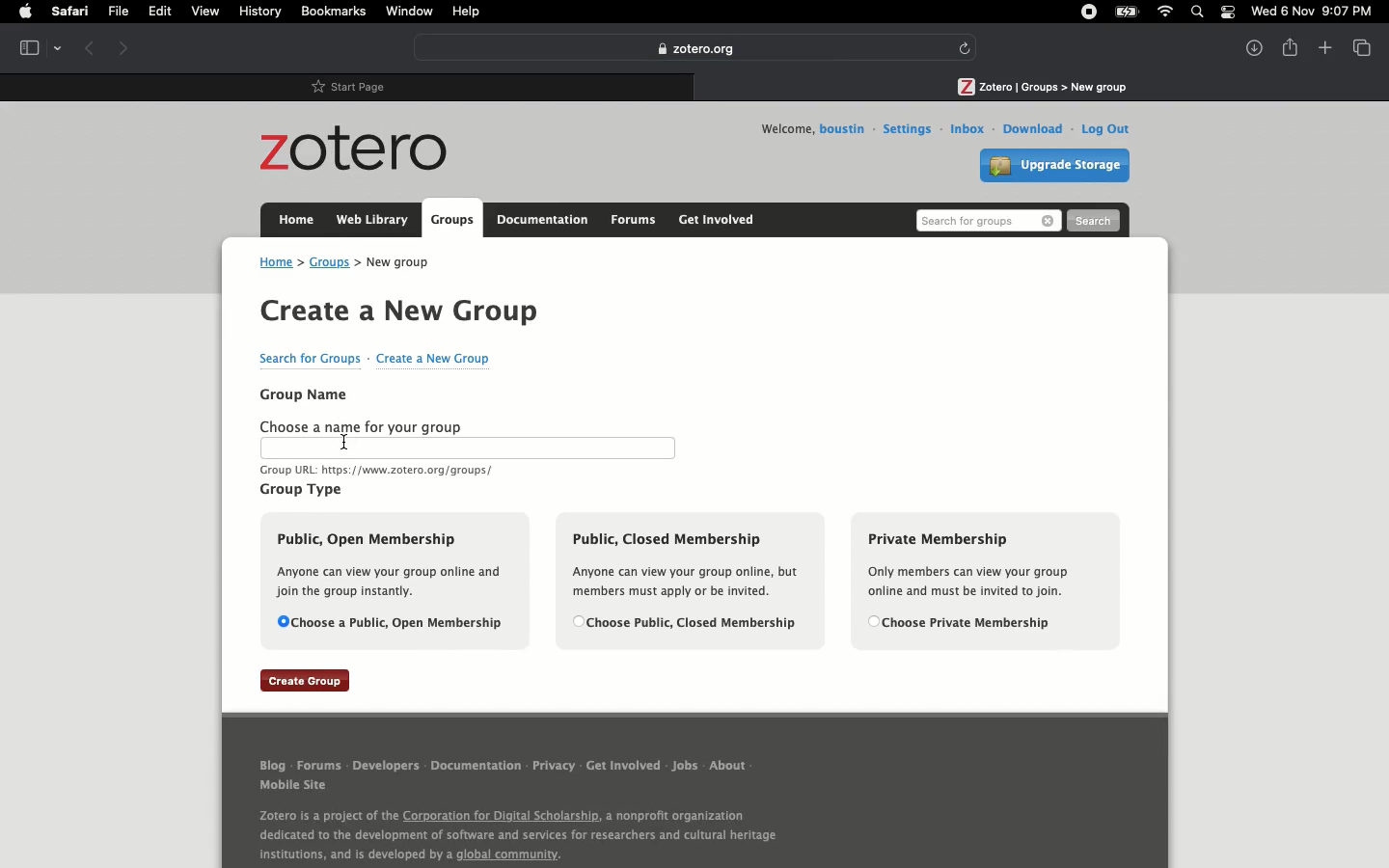 The image size is (1389, 868). I want to click on Notification bar, so click(1225, 14).